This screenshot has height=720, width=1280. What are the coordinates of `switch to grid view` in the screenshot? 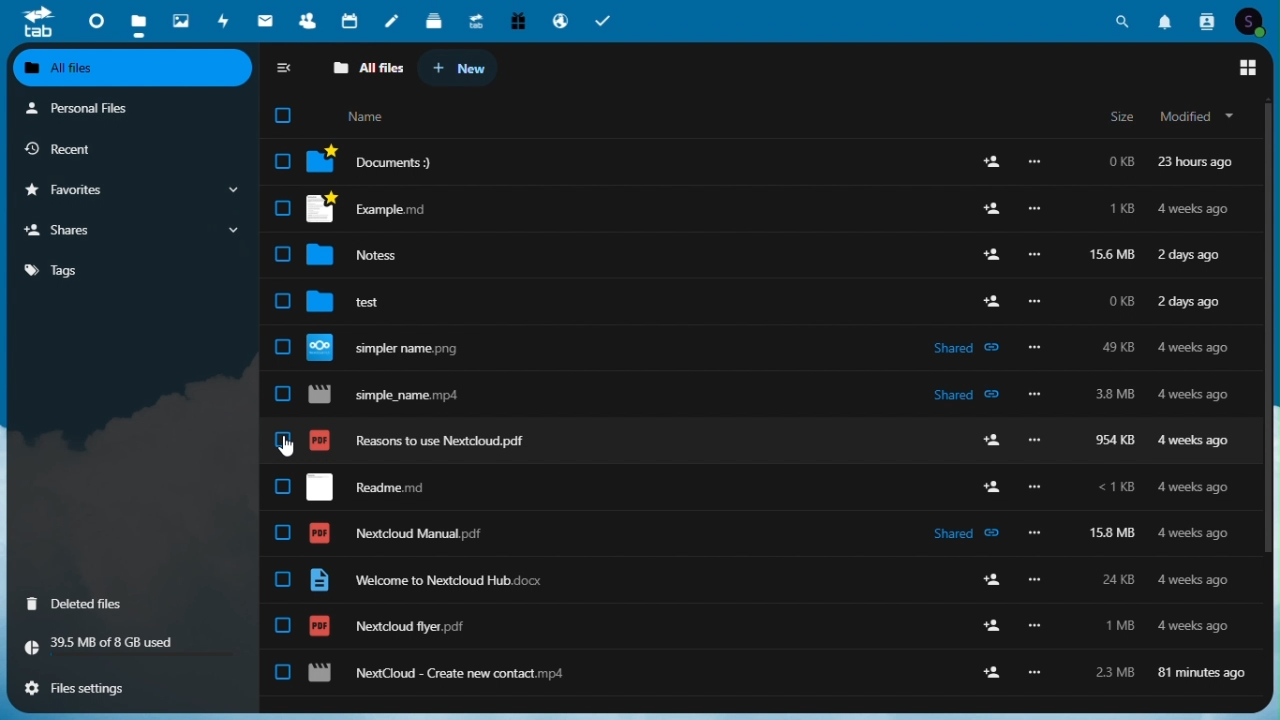 It's located at (1248, 69).